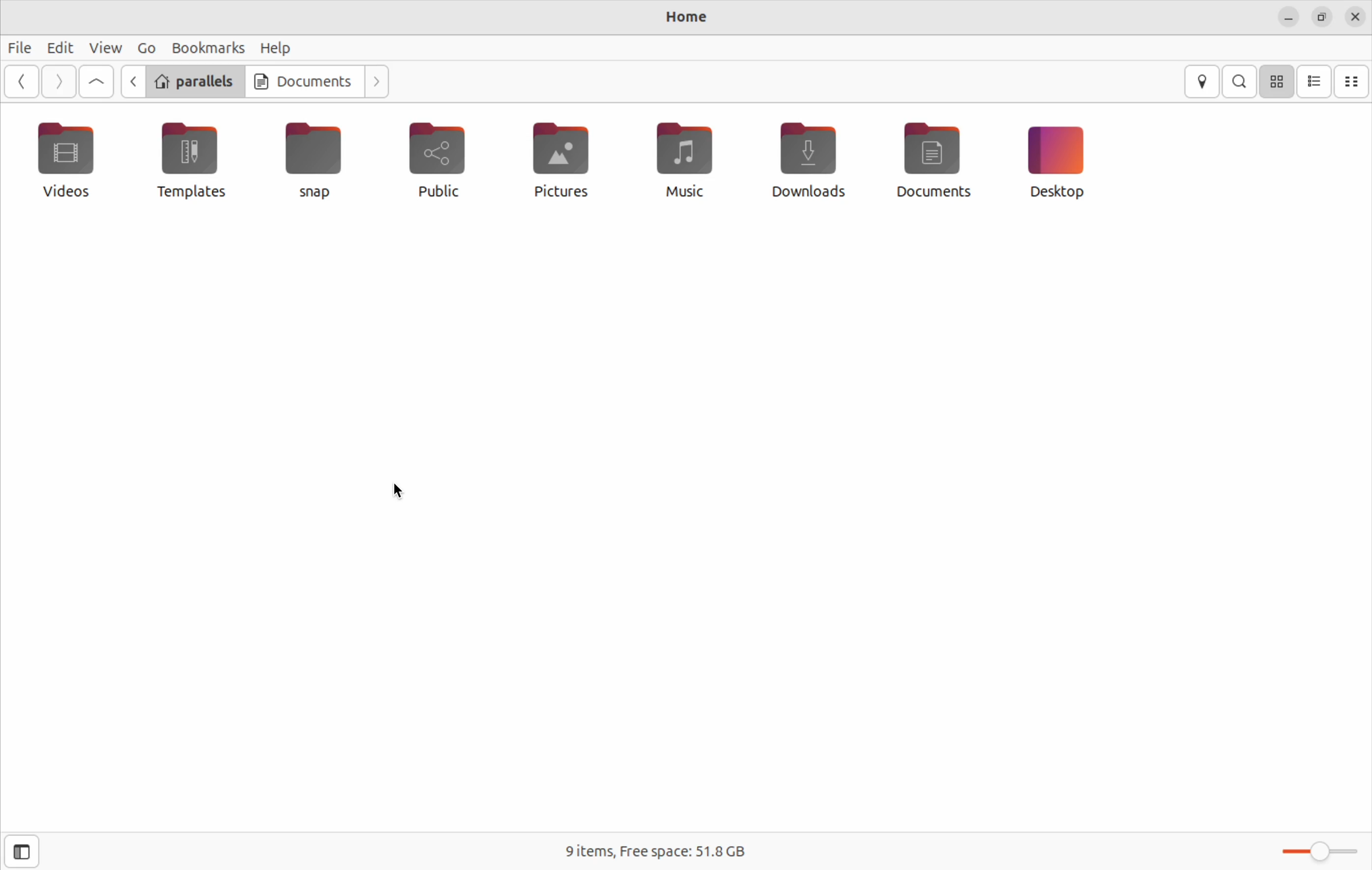 This screenshot has height=870, width=1372. Describe the element at coordinates (689, 157) in the screenshot. I see `music` at that location.